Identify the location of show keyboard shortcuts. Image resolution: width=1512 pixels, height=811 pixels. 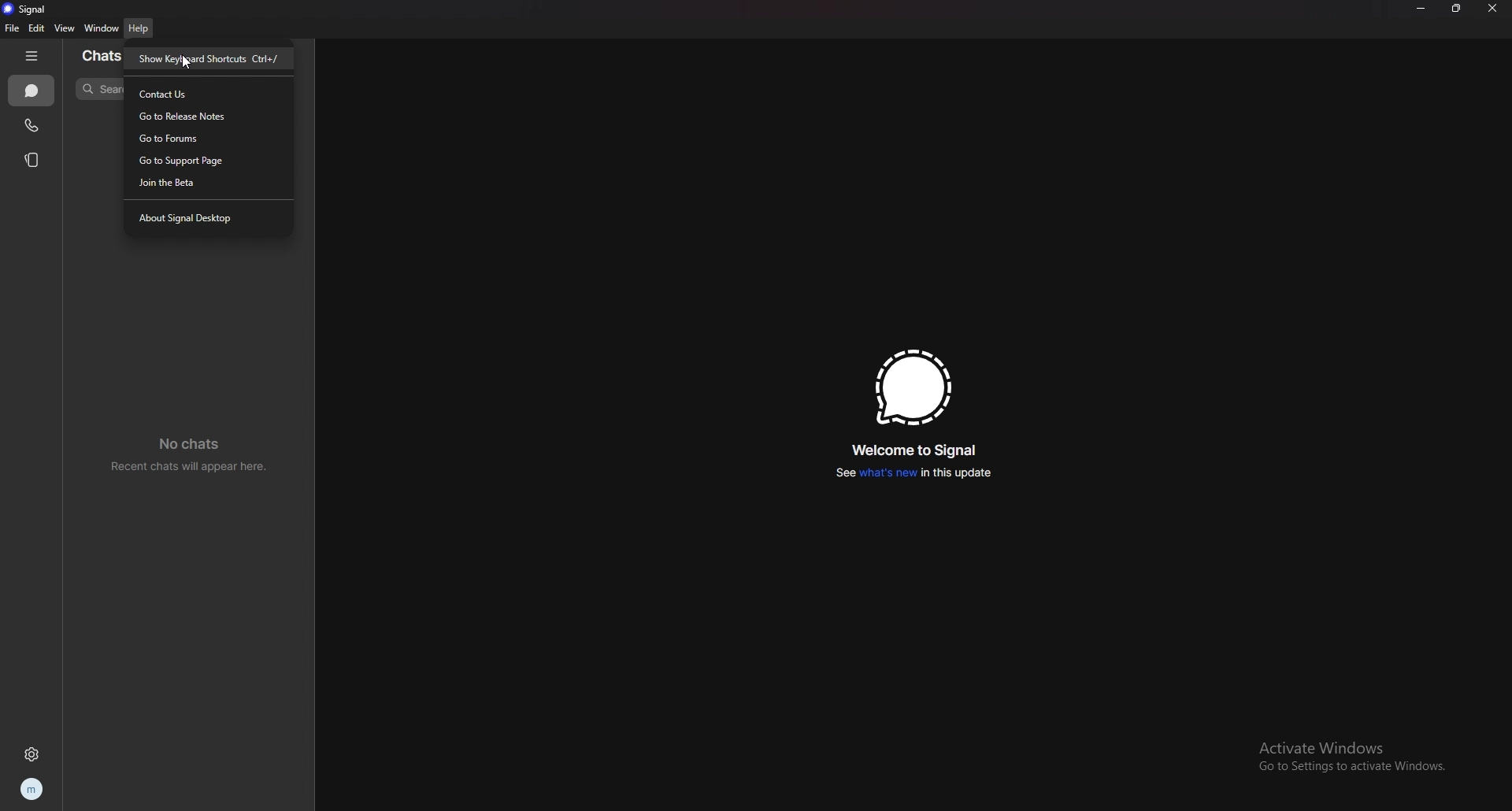
(209, 60).